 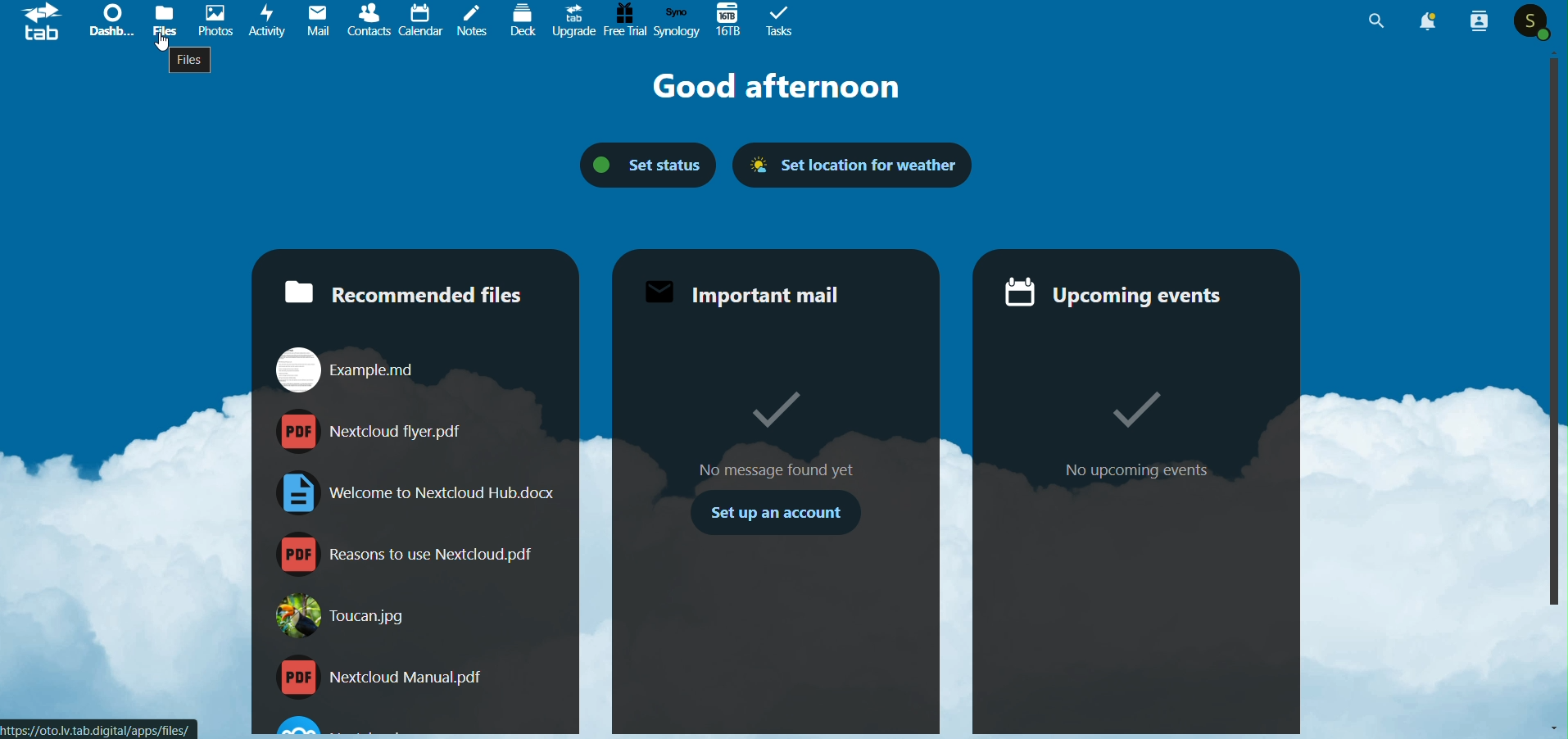 I want to click on Goof Afternoon, so click(x=777, y=88).